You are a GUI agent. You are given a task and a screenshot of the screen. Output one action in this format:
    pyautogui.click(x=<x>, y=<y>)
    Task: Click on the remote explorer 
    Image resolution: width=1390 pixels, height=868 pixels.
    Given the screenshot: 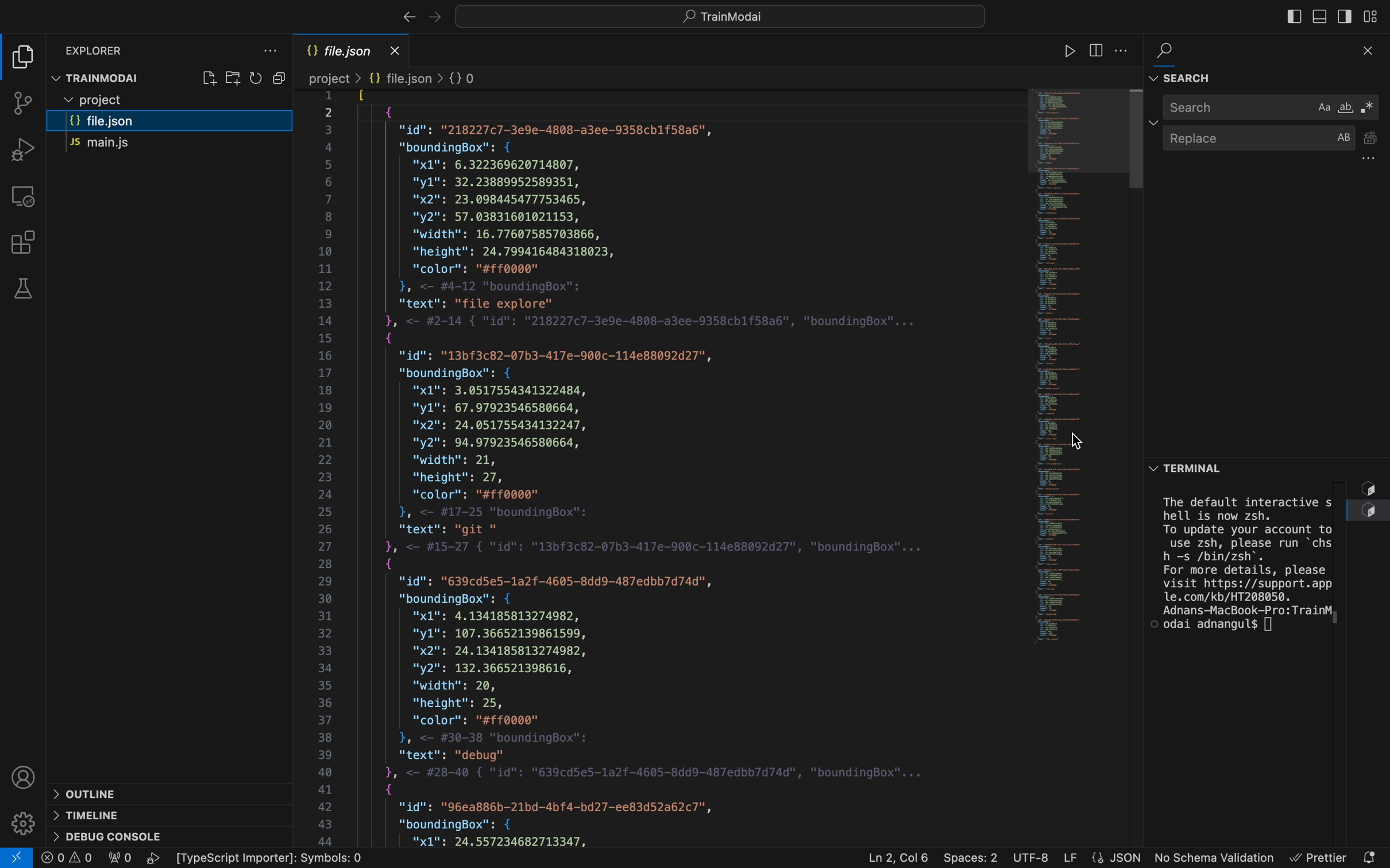 What is the action you would take?
    pyautogui.click(x=25, y=196)
    